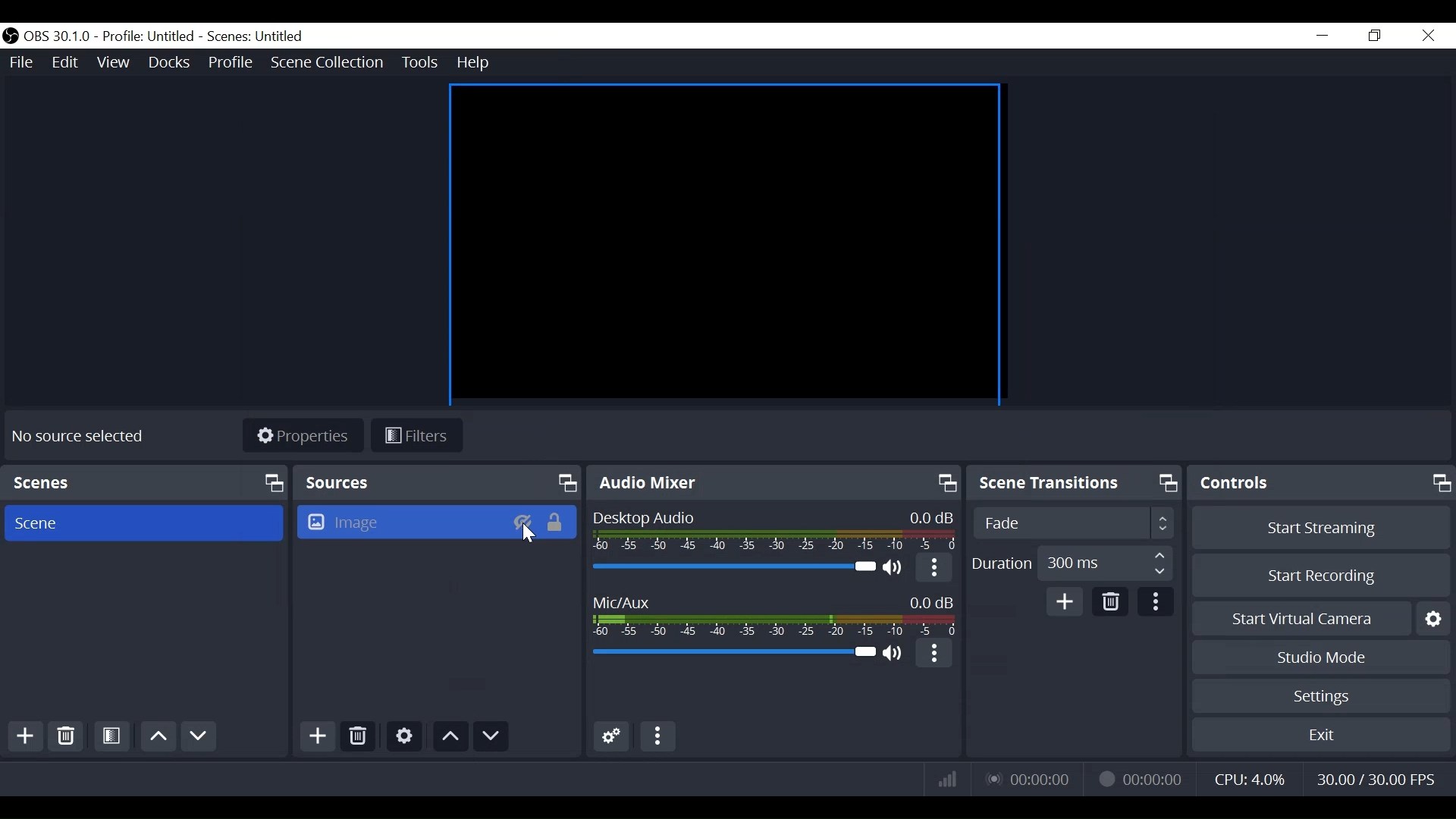  I want to click on Profile, so click(230, 61).